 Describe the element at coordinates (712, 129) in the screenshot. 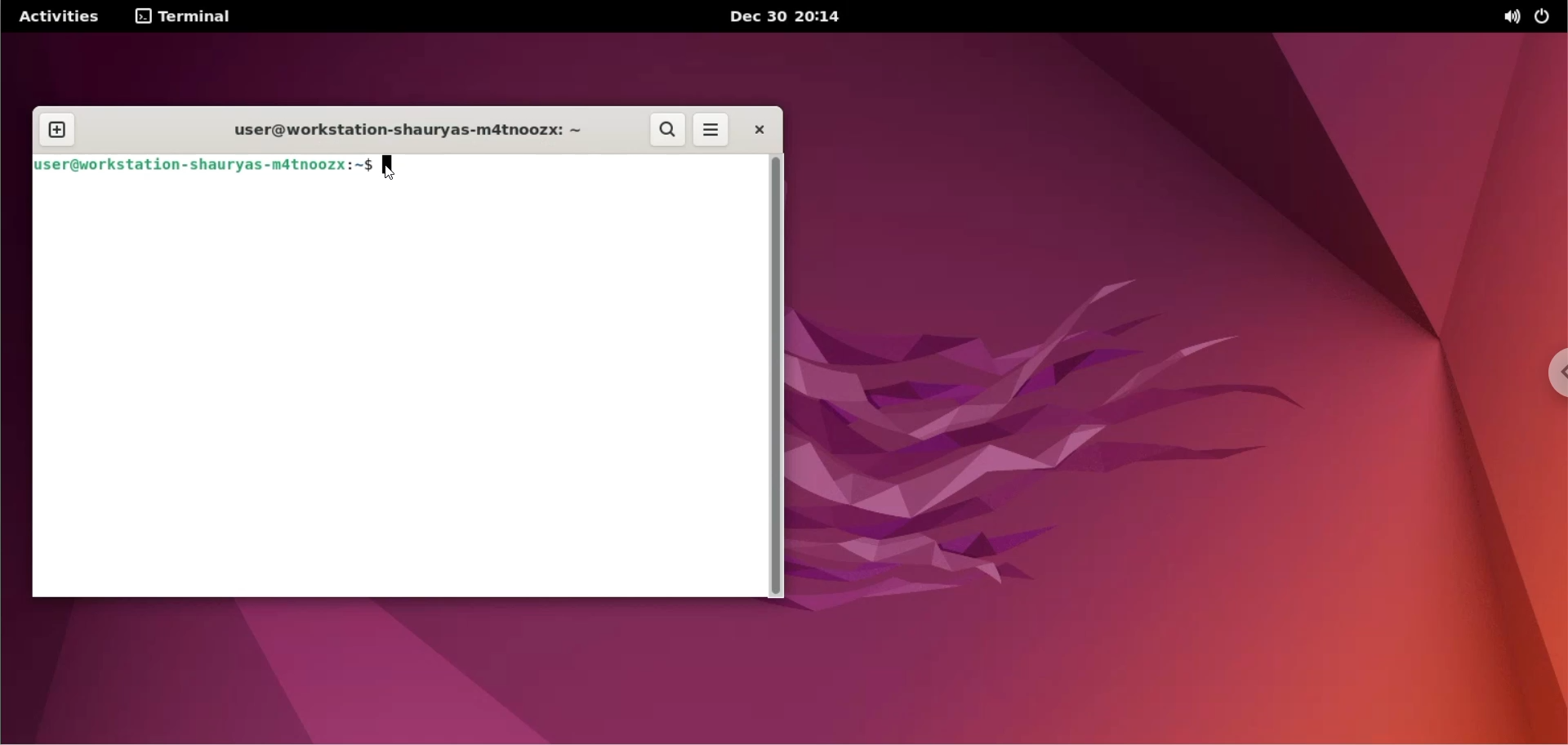

I see `more options` at that location.